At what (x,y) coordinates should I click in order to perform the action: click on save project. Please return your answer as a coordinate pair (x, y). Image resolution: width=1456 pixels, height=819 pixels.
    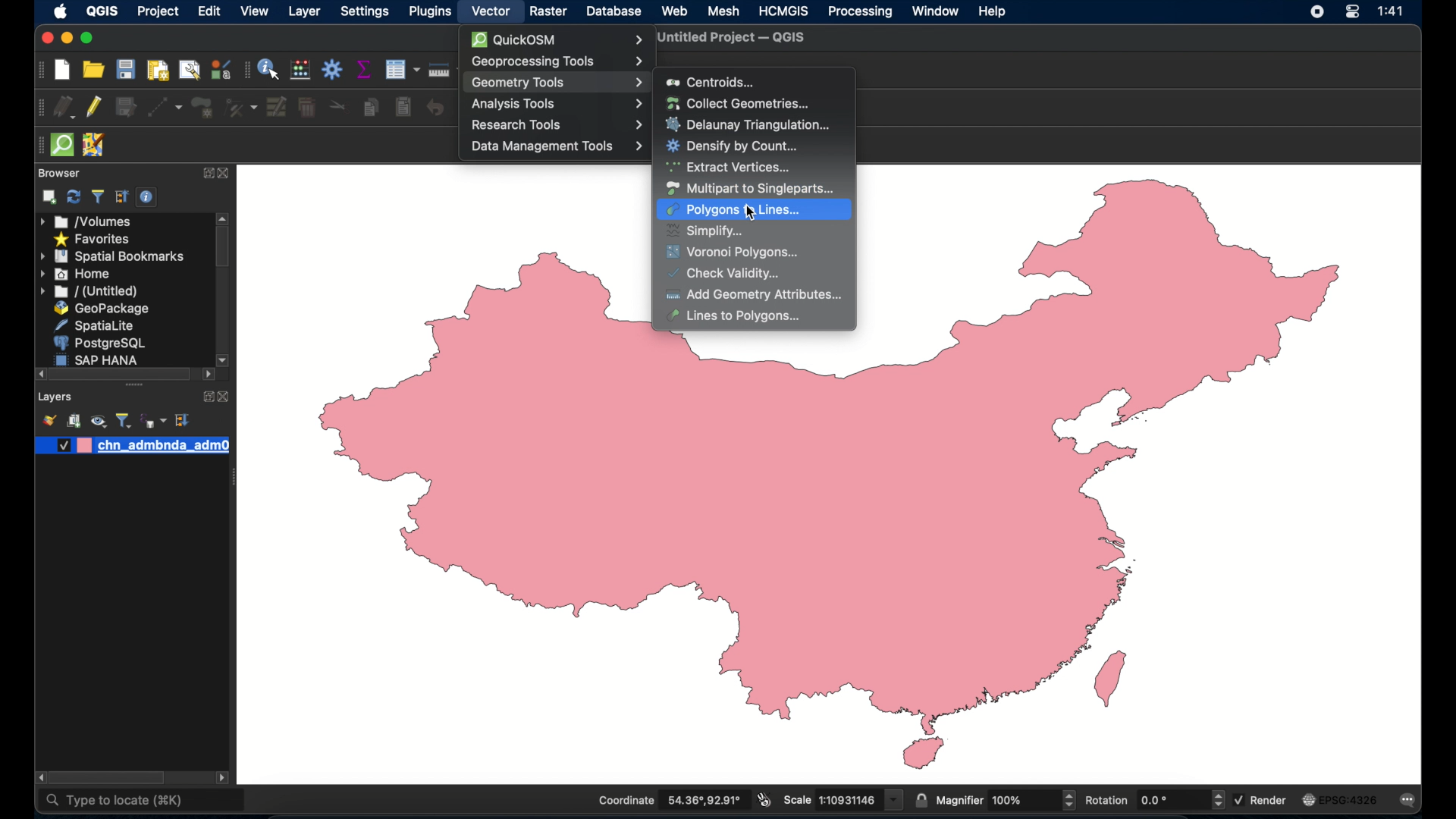
    Looking at the image, I should click on (125, 69).